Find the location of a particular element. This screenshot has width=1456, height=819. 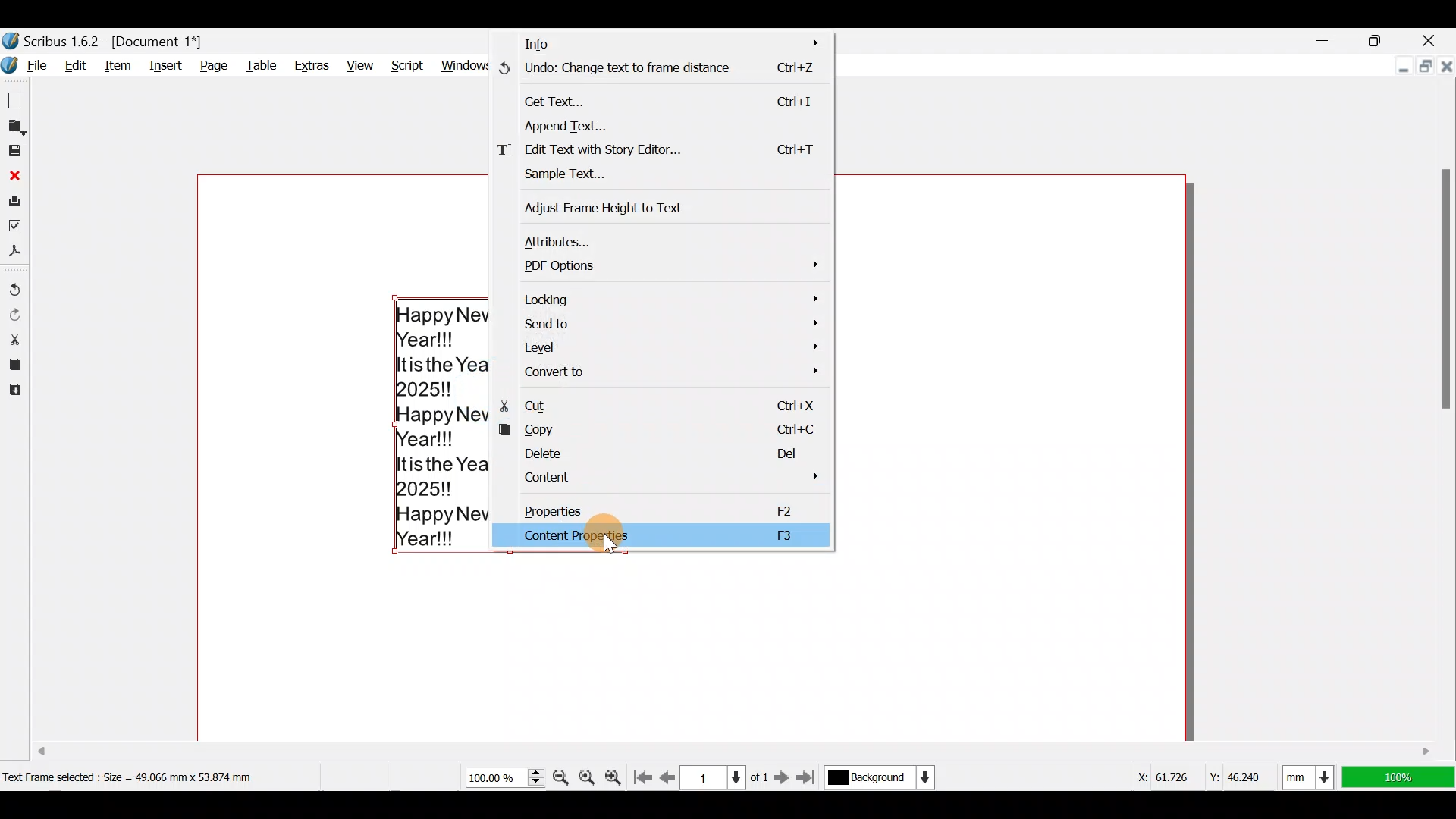

Happy New Year is located at coordinates (441, 424).